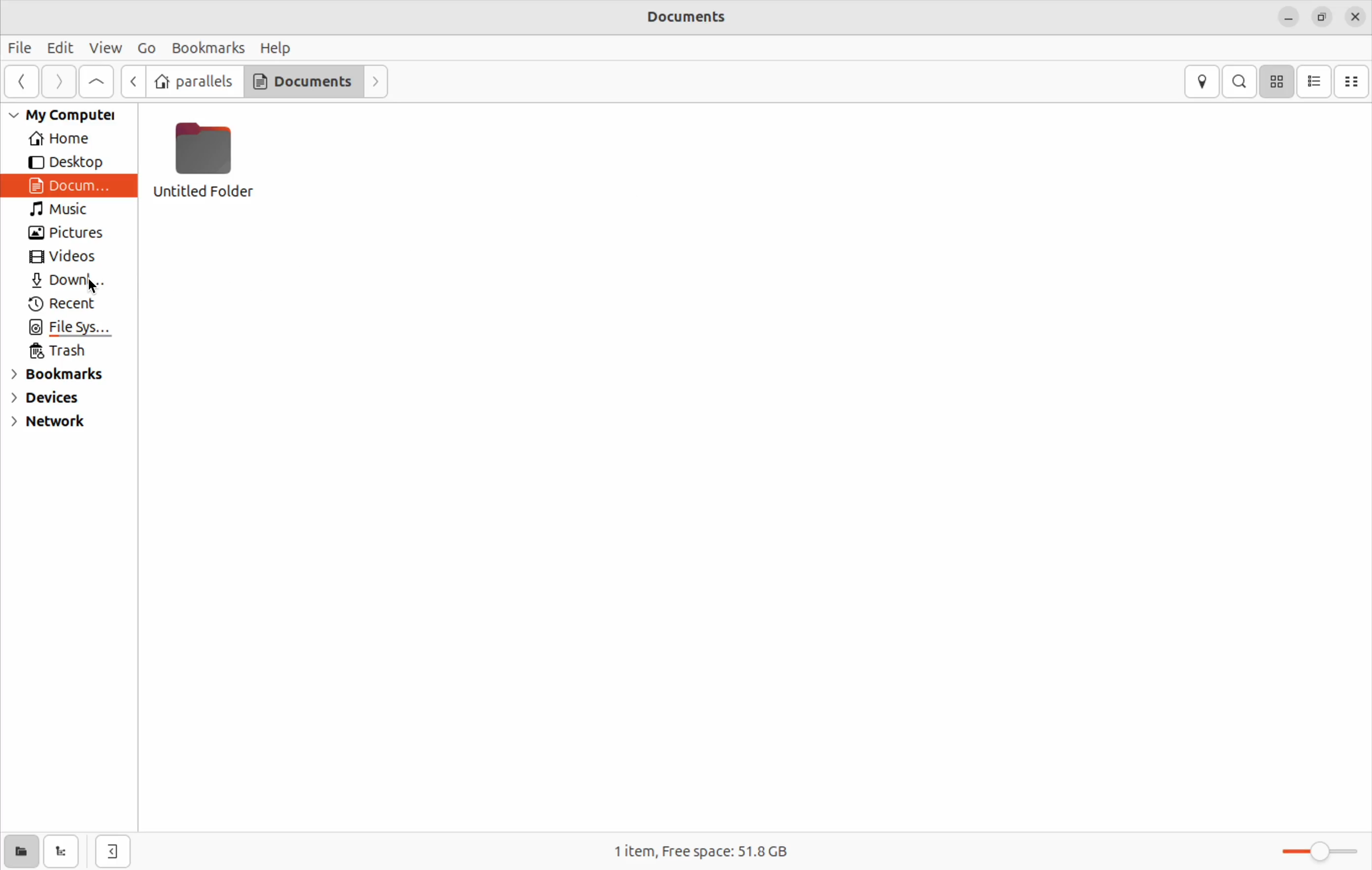 Image resolution: width=1372 pixels, height=870 pixels. What do you see at coordinates (1240, 81) in the screenshot?
I see `search` at bounding box center [1240, 81].